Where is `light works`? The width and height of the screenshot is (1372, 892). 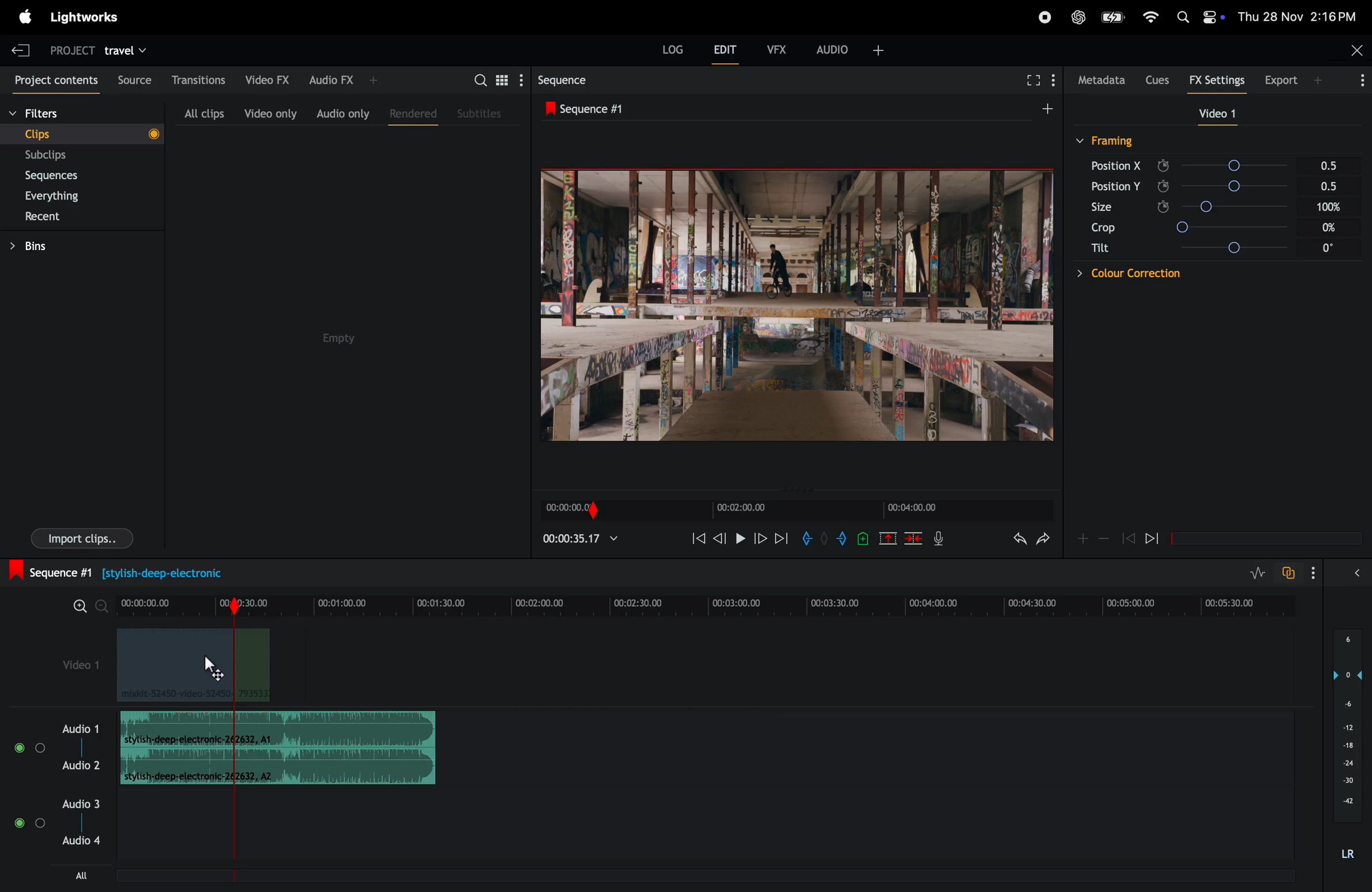
light works is located at coordinates (91, 16).